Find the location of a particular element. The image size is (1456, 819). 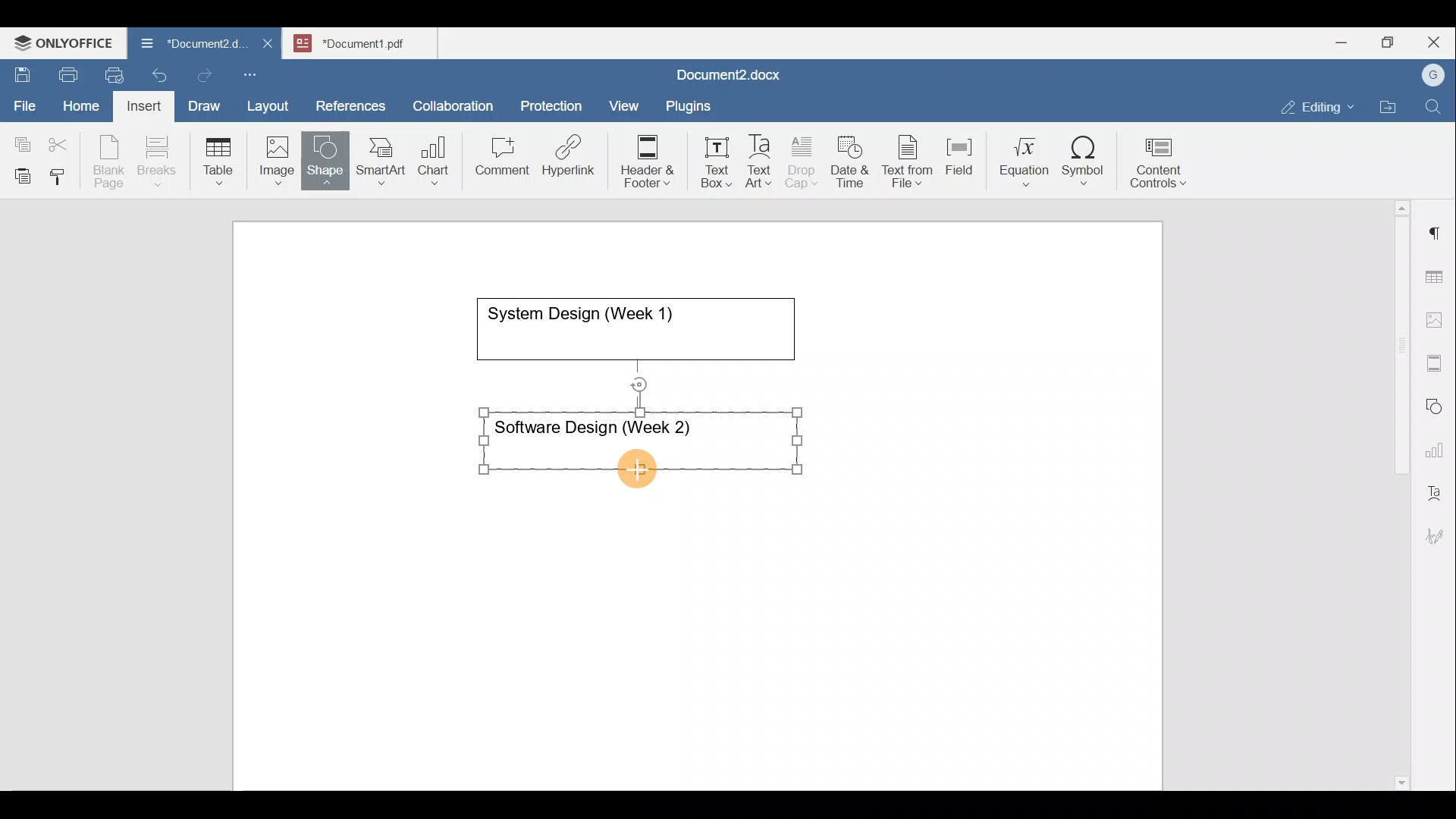

Account name is located at coordinates (1429, 76).